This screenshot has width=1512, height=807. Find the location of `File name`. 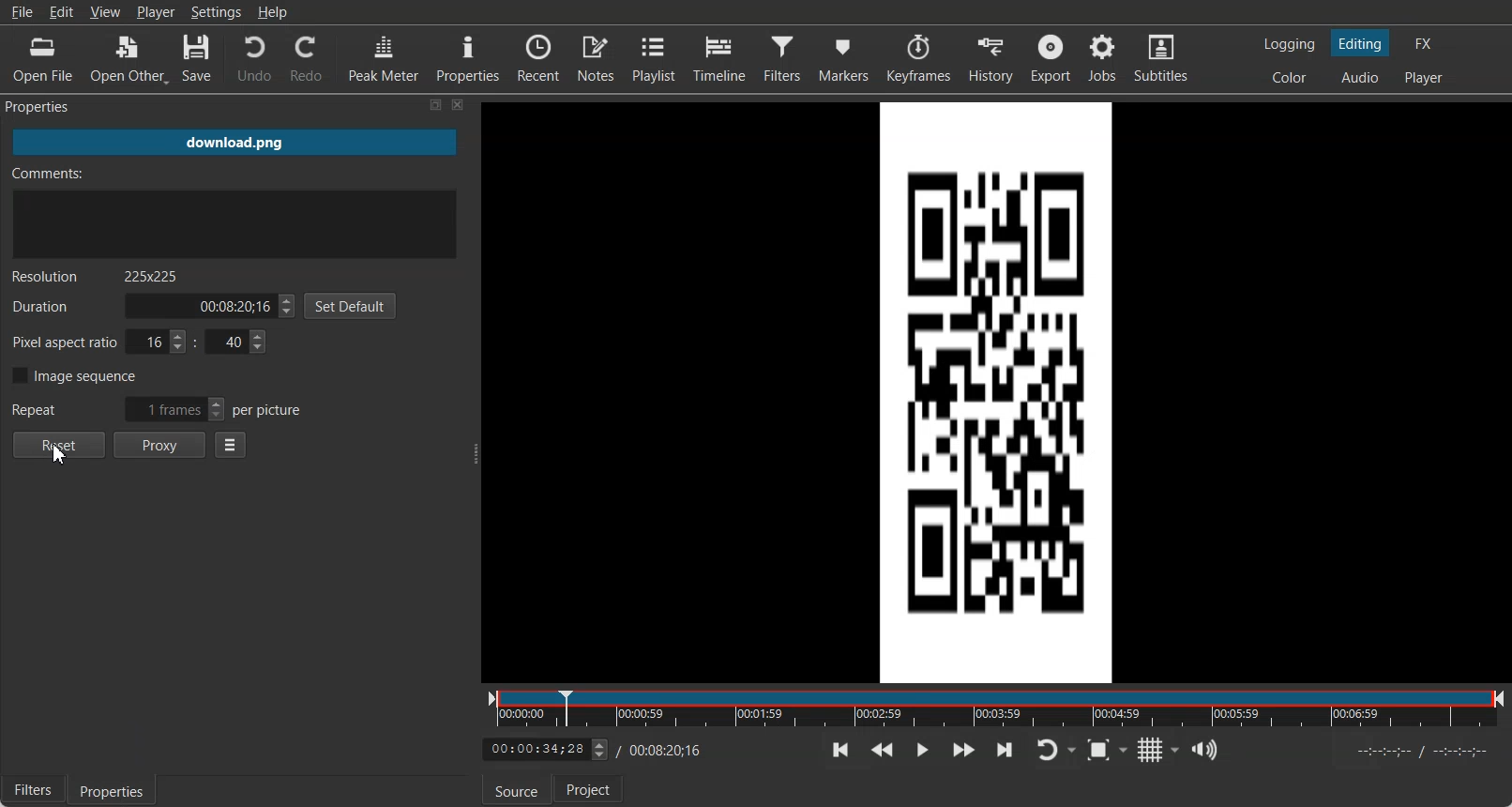

File name is located at coordinates (237, 143).